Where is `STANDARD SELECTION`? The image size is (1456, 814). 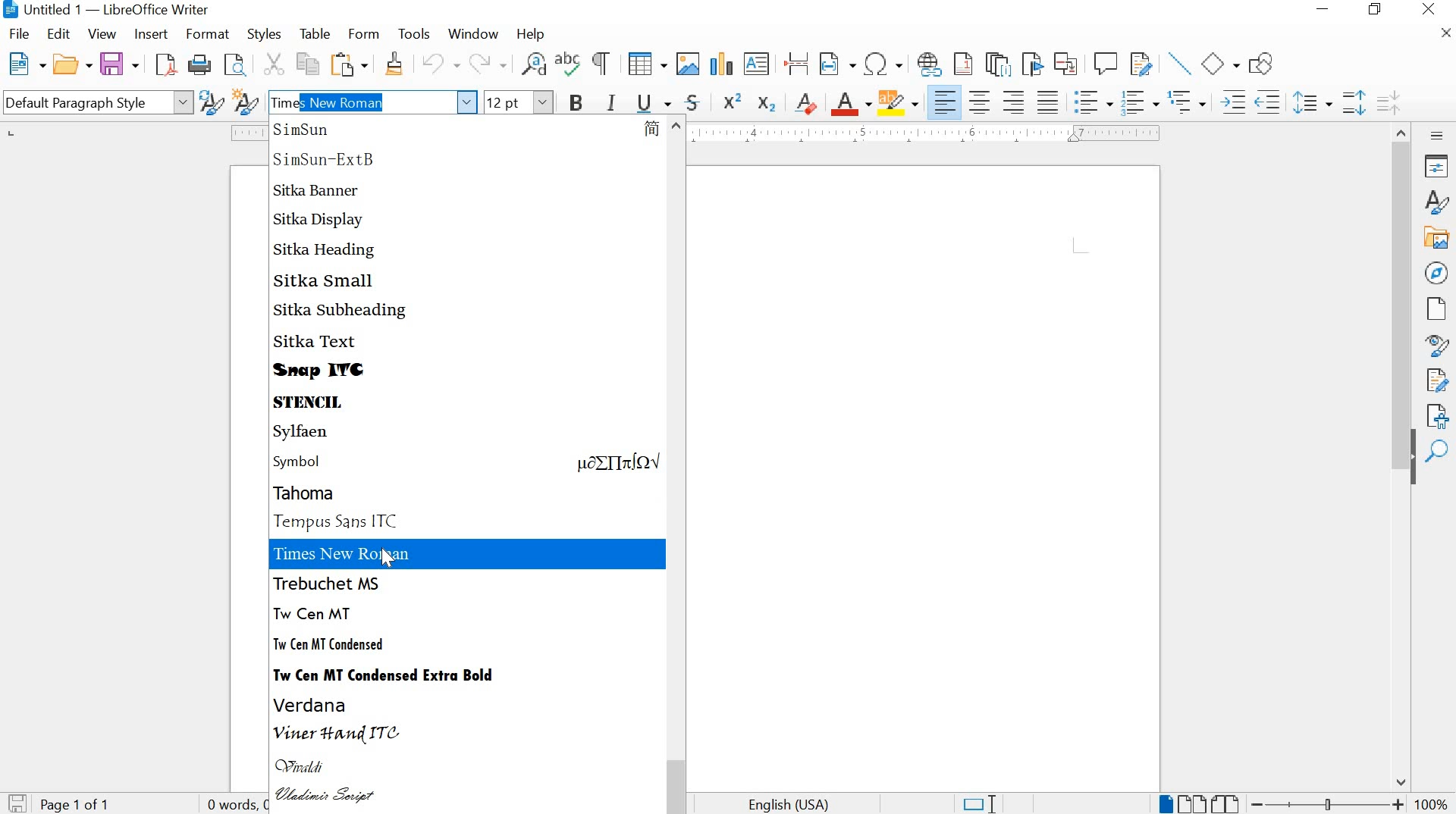
STANDARD SELECTION is located at coordinates (980, 803).